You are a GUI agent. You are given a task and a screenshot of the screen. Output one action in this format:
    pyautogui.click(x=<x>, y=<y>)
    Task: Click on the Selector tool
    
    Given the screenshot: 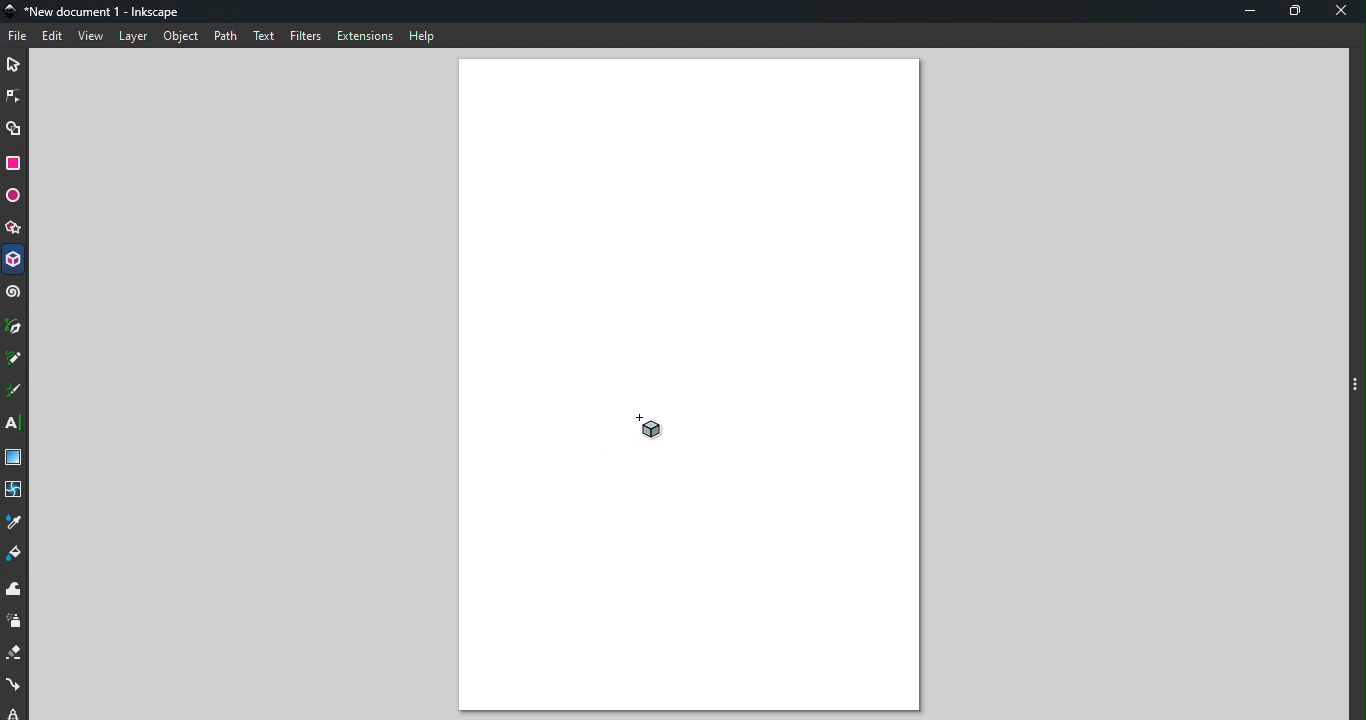 What is the action you would take?
    pyautogui.click(x=16, y=64)
    